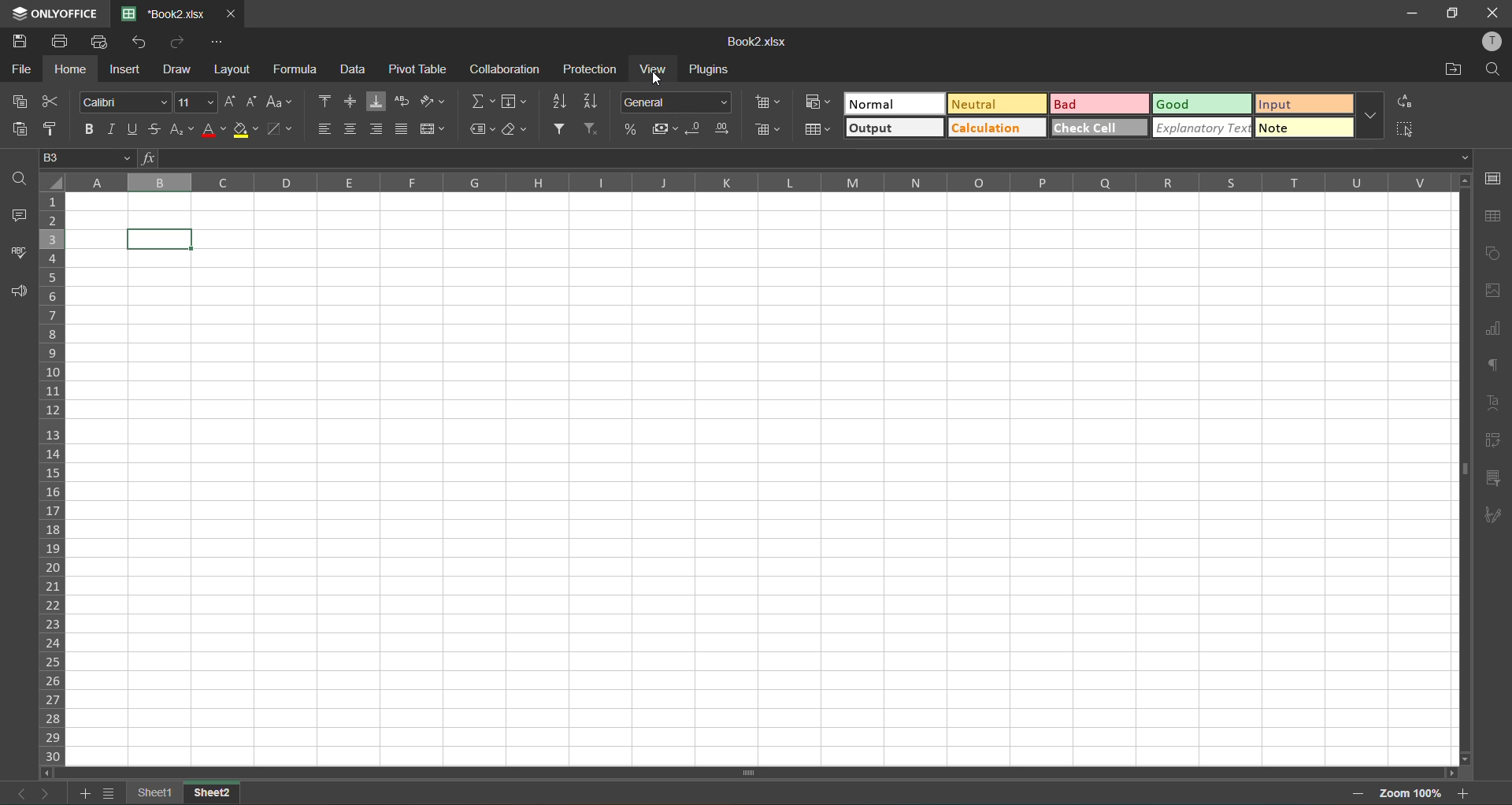  Describe the element at coordinates (665, 128) in the screenshot. I see `accounting` at that location.